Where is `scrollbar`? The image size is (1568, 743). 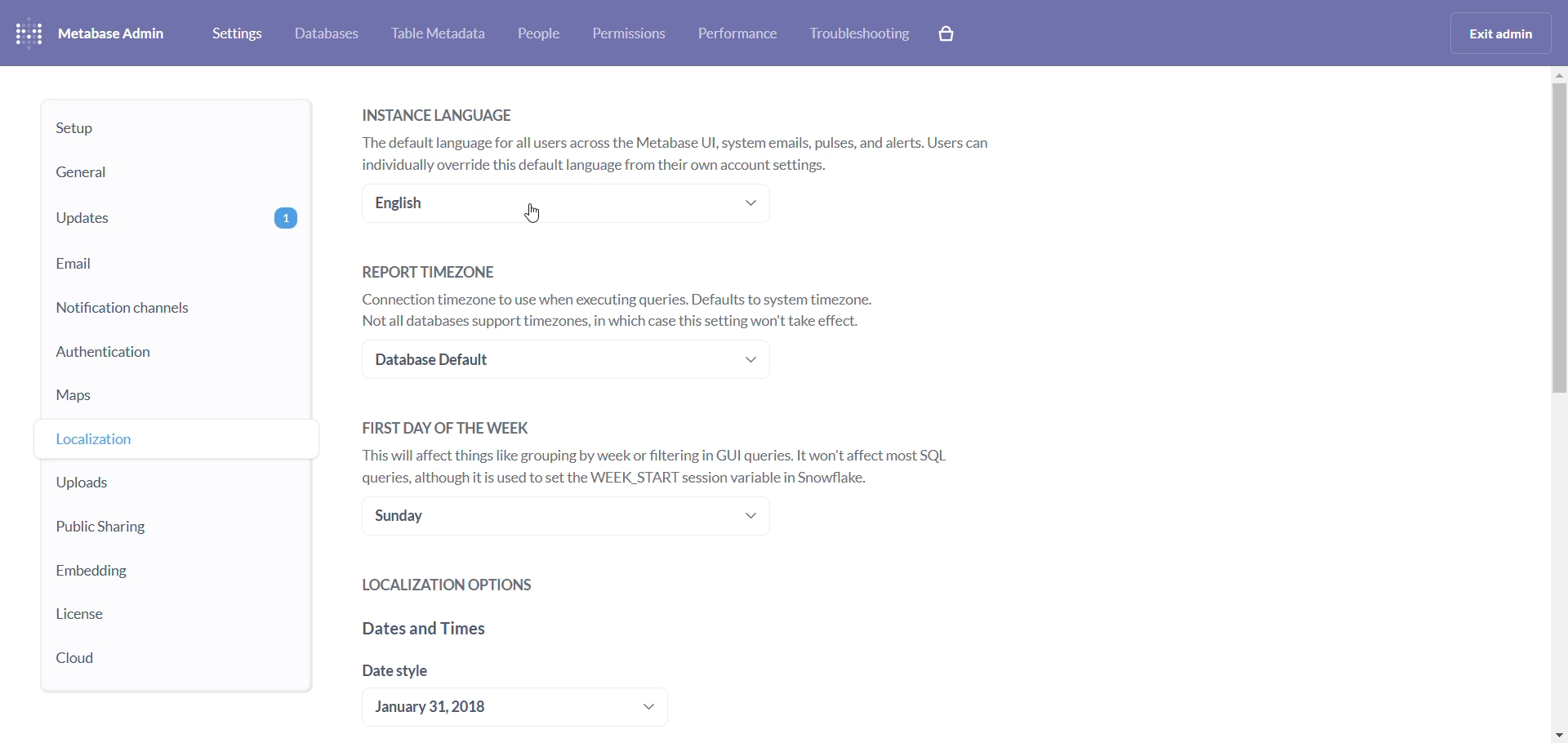
scrollbar is located at coordinates (1558, 259).